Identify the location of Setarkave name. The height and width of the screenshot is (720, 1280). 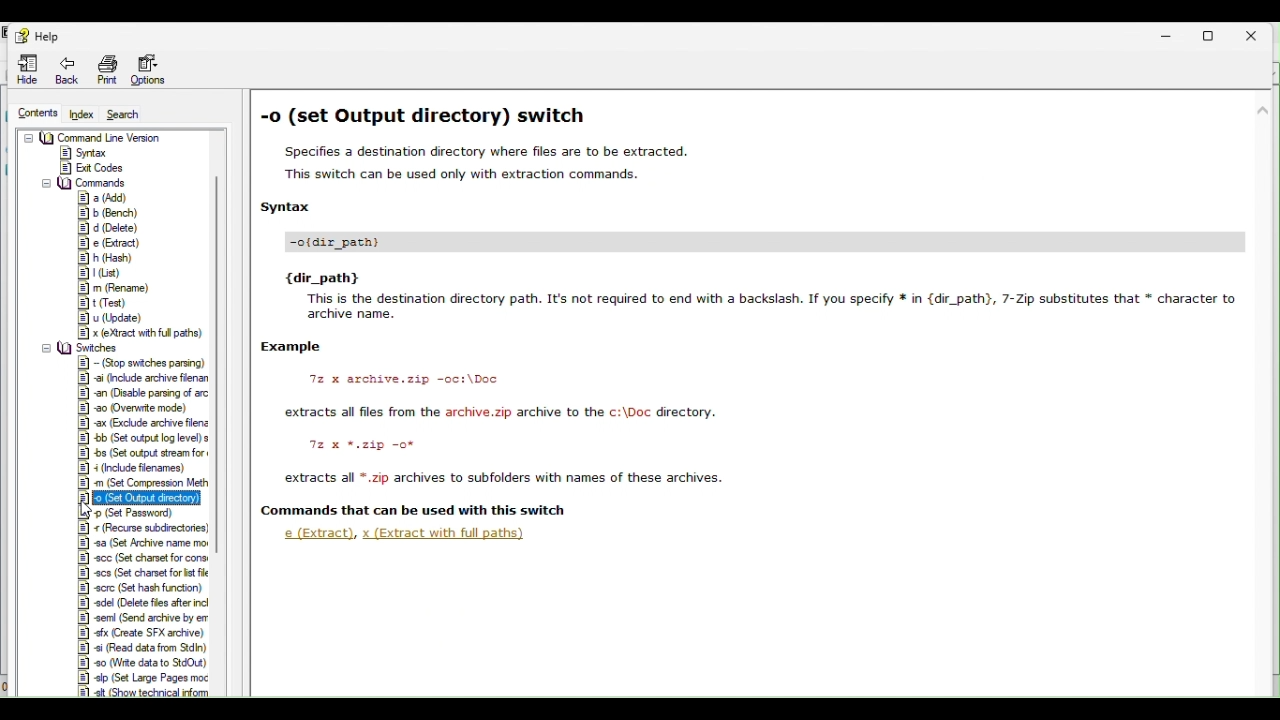
(146, 543).